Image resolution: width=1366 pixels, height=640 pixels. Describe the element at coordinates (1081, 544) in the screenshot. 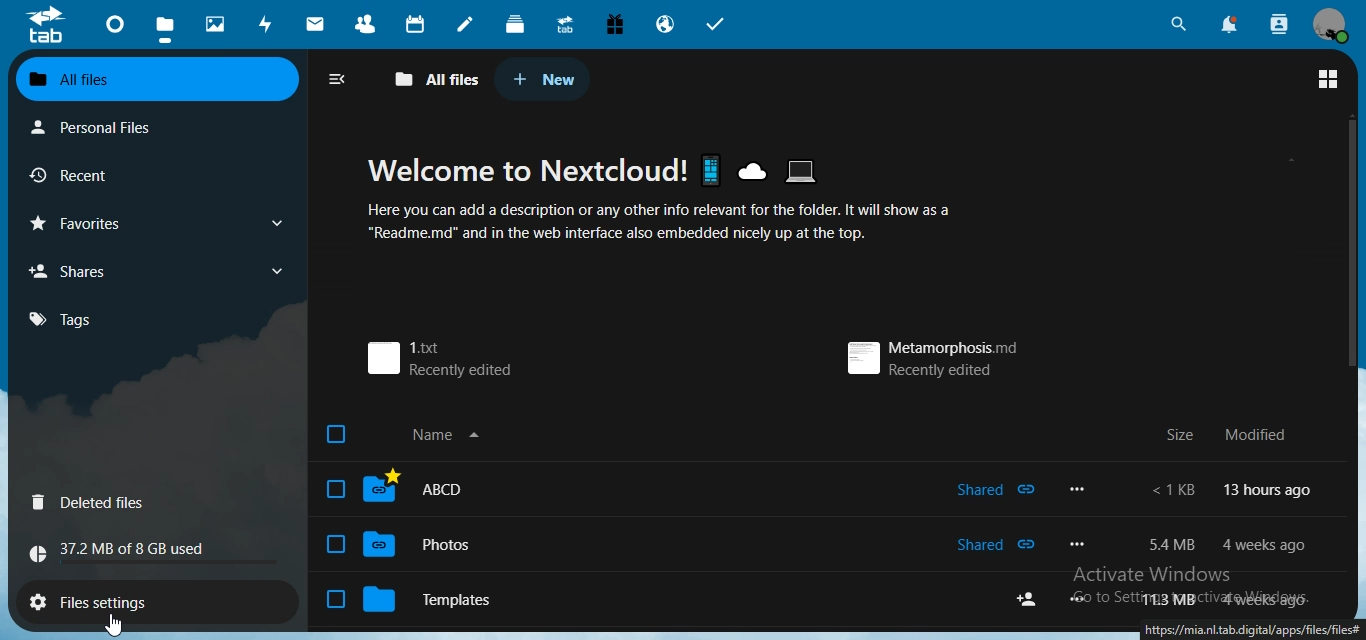

I see `more options` at that location.